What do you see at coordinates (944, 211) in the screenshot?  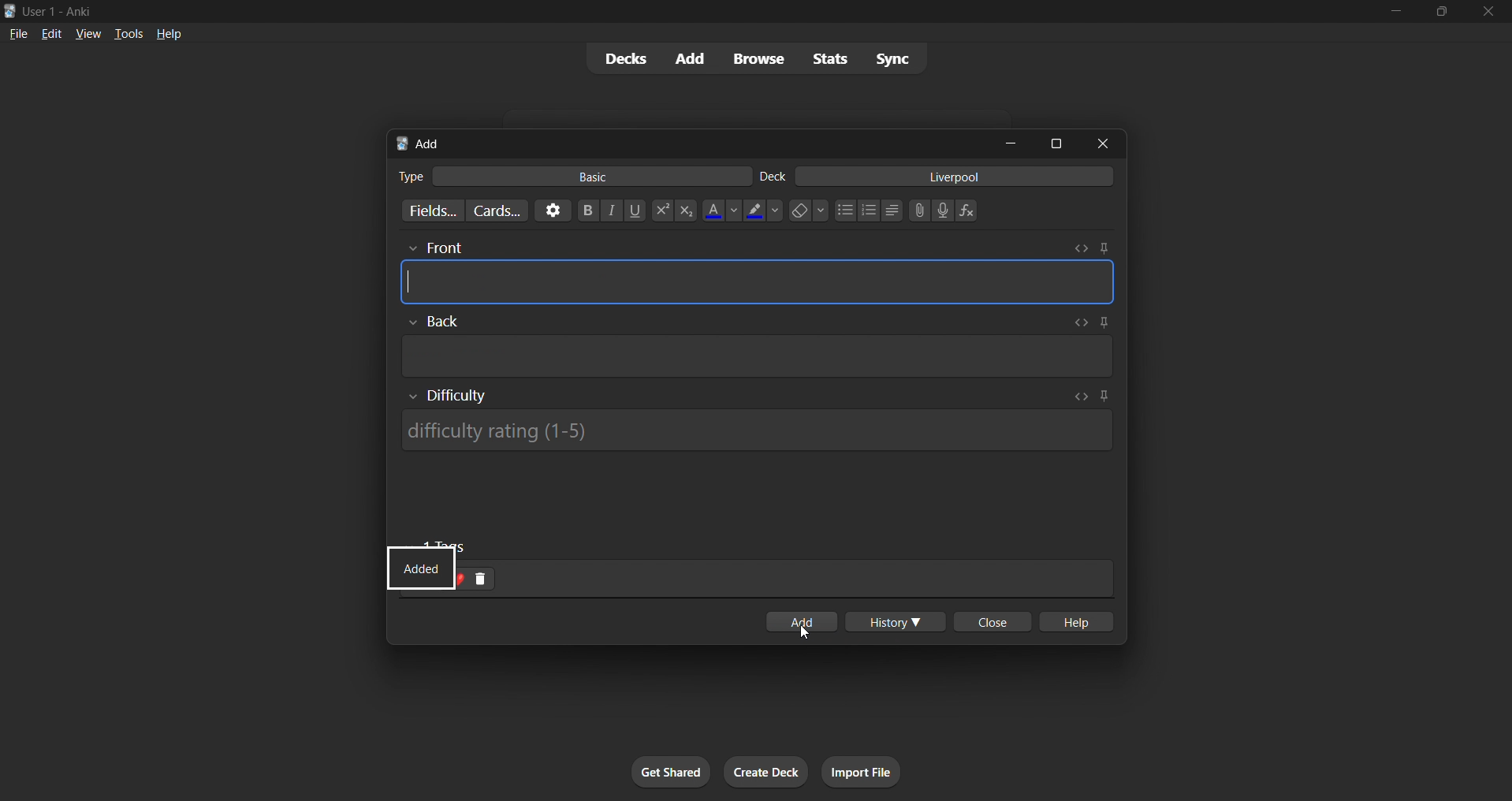 I see `microphone` at bounding box center [944, 211].